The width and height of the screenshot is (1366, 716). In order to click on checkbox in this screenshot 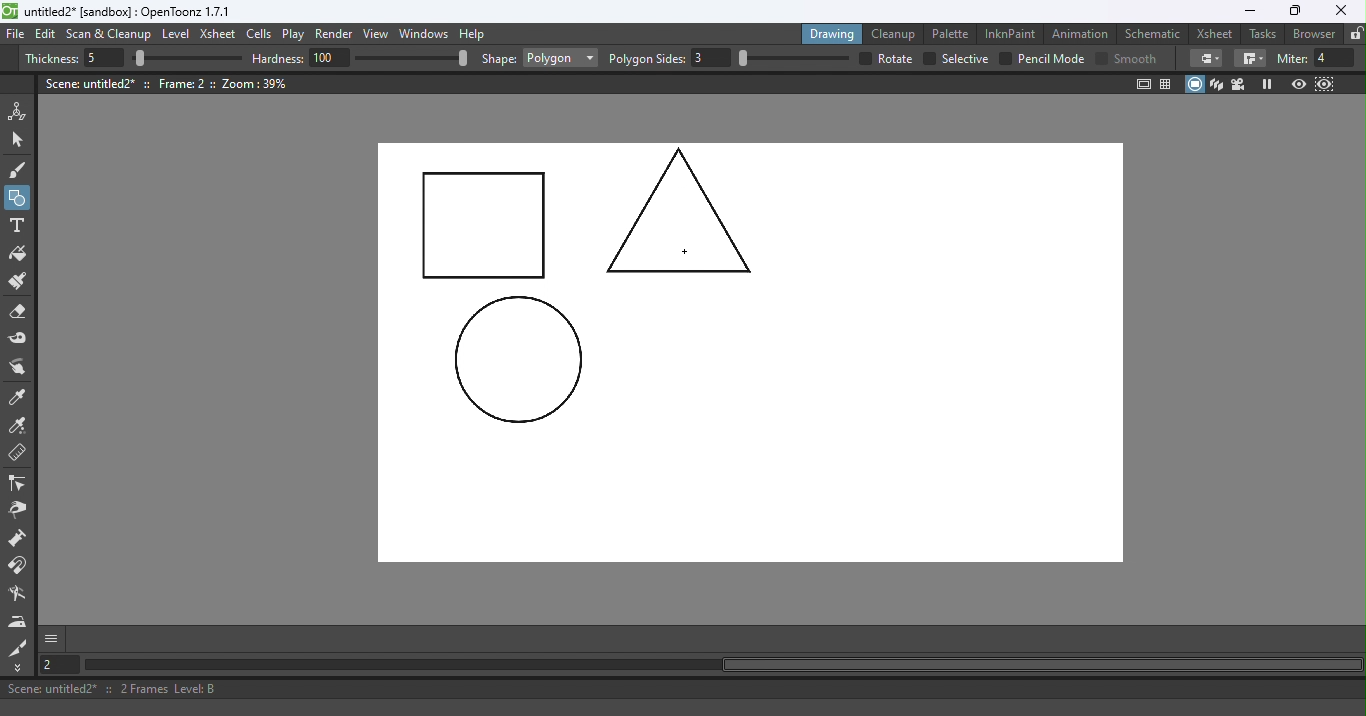, I will do `click(1005, 58)`.